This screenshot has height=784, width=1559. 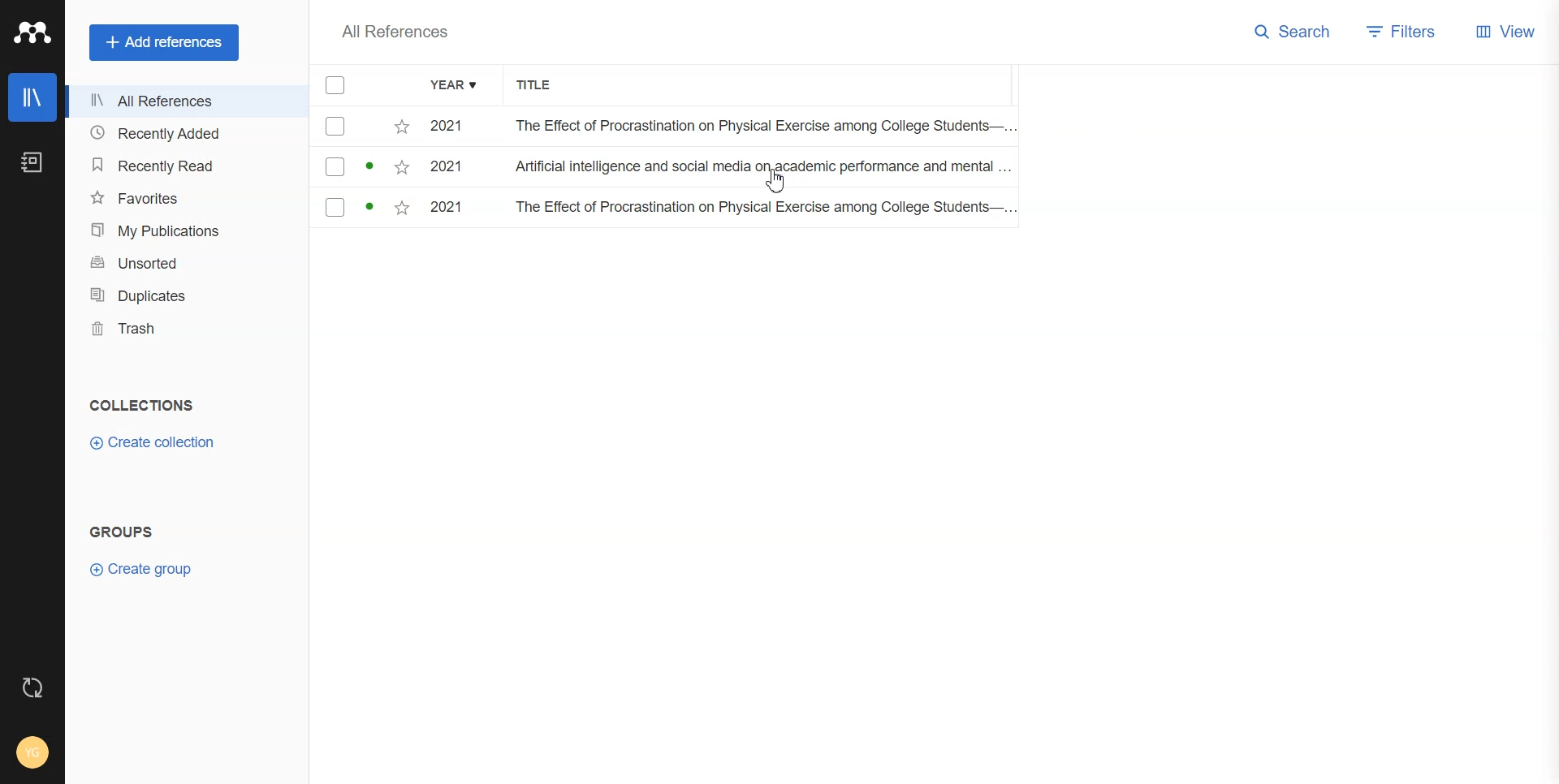 What do you see at coordinates (152, 443) in the screenshot?
I see `Create collection` at bounding box center [152, 443].